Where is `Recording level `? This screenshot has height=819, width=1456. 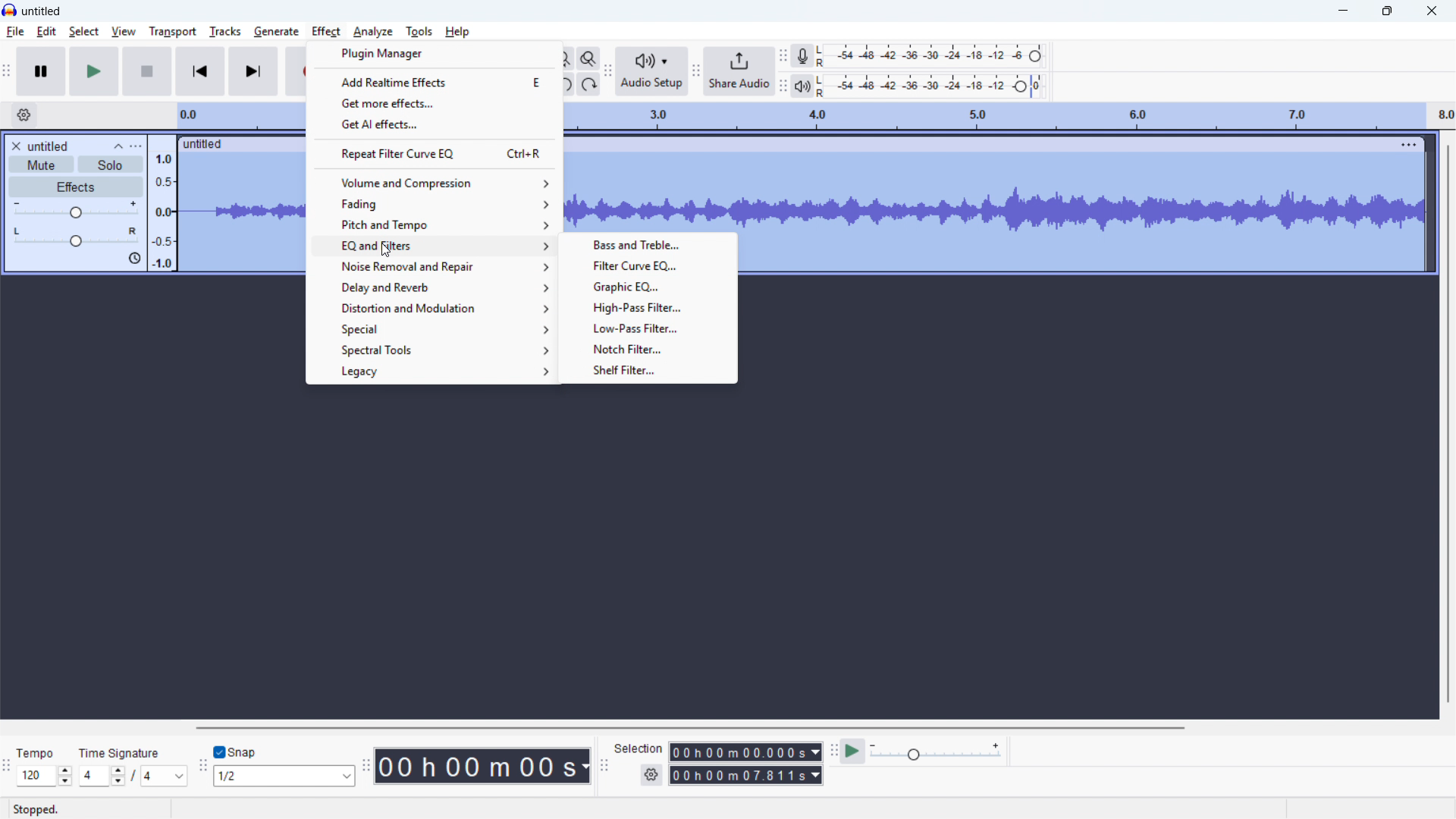 Recording level  is located at coordinates (929, 55).